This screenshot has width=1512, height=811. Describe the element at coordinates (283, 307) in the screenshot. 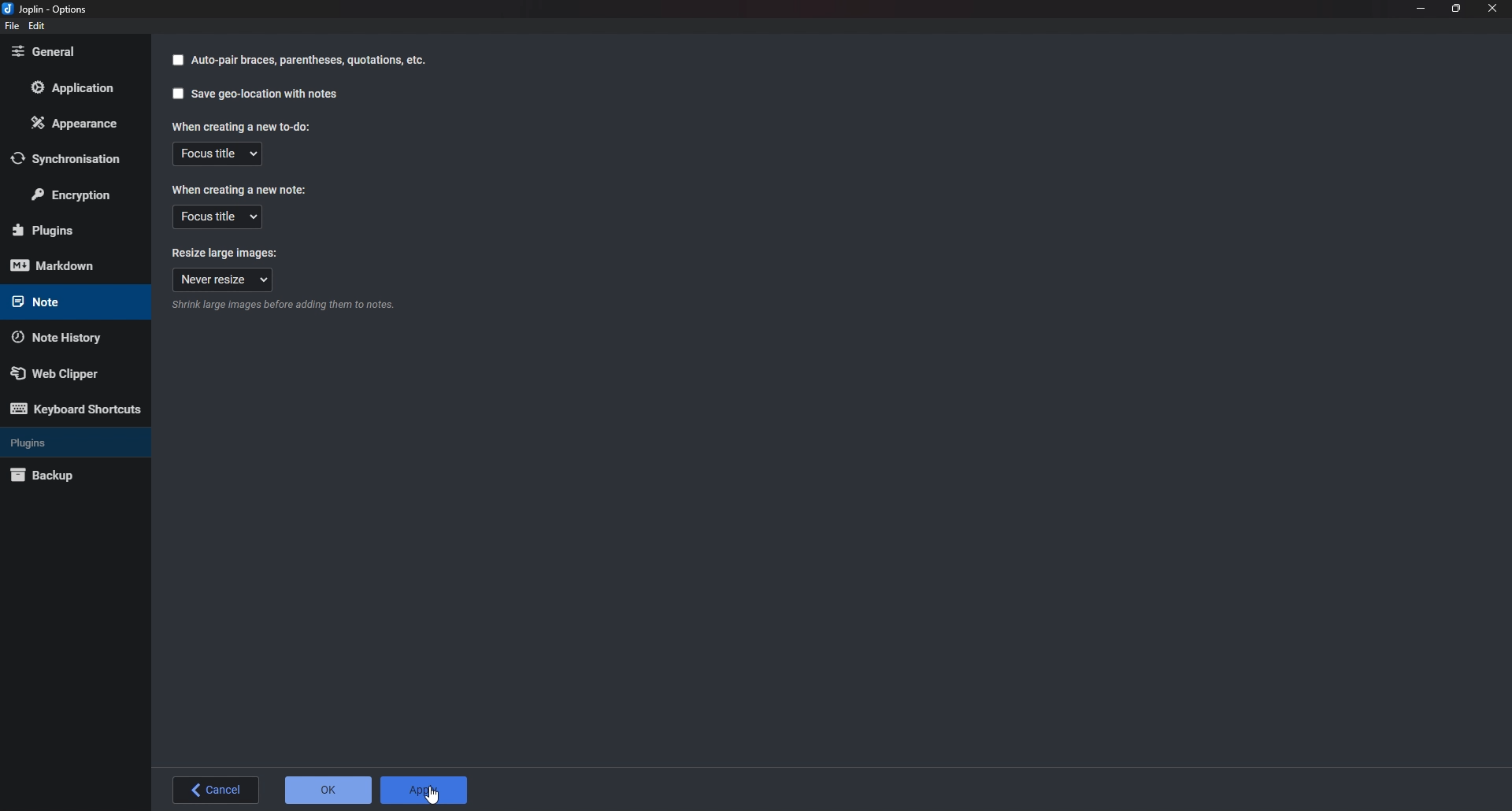

I see `Info` at that location.